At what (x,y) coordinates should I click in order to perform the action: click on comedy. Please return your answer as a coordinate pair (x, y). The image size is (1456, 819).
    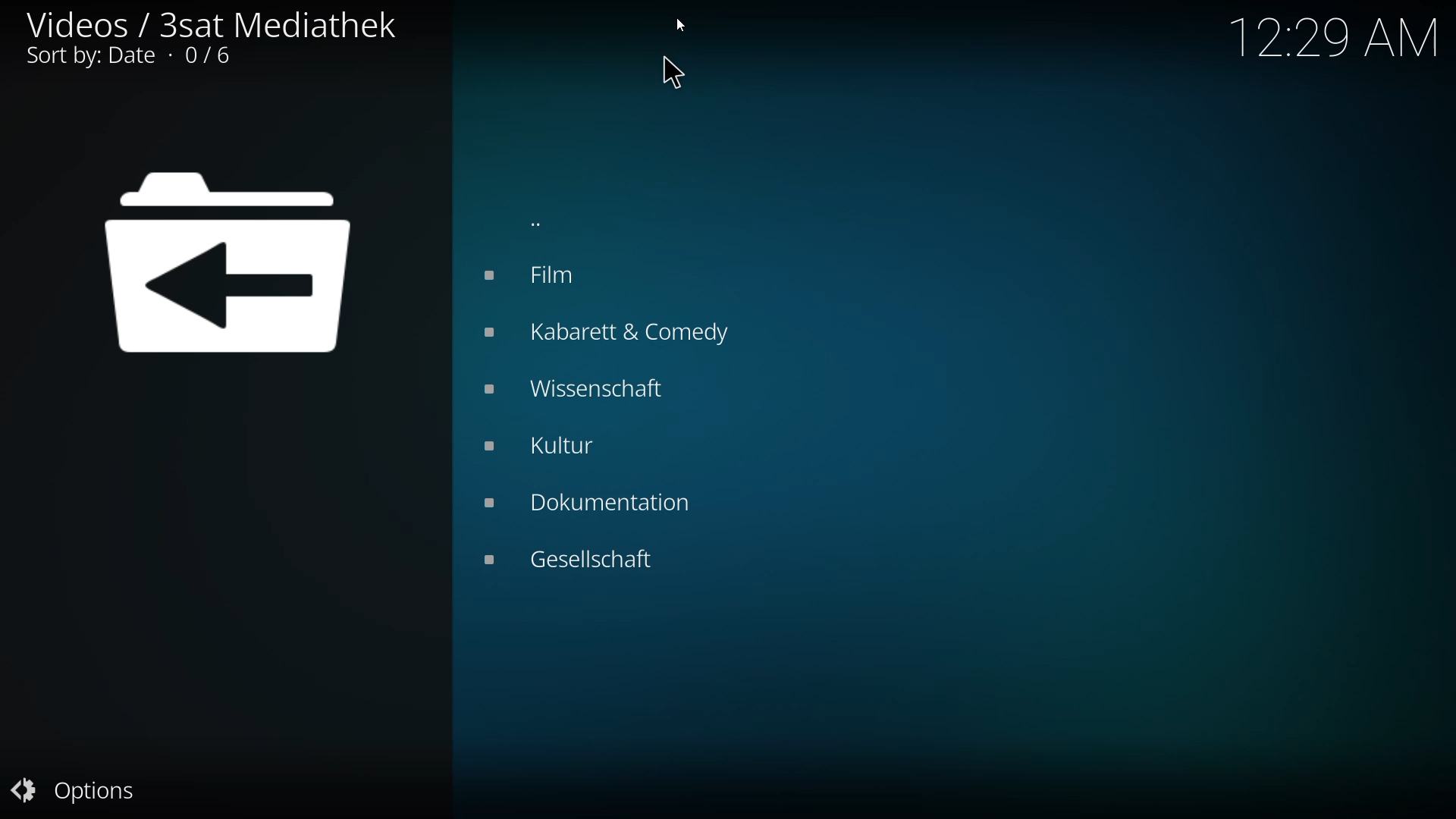
    Looking at the image, I should click on (615, 334).